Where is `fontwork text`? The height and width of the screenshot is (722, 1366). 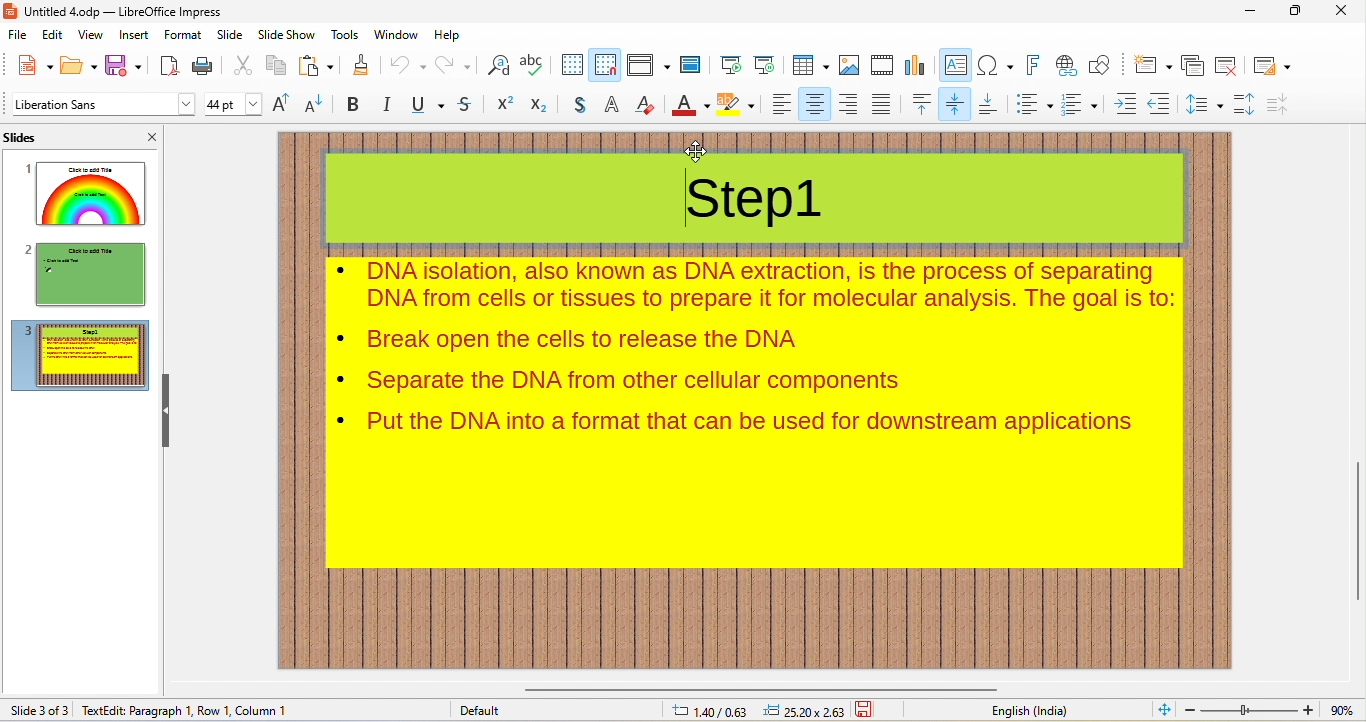
fontwork text is located at coordinates (1030, 64).